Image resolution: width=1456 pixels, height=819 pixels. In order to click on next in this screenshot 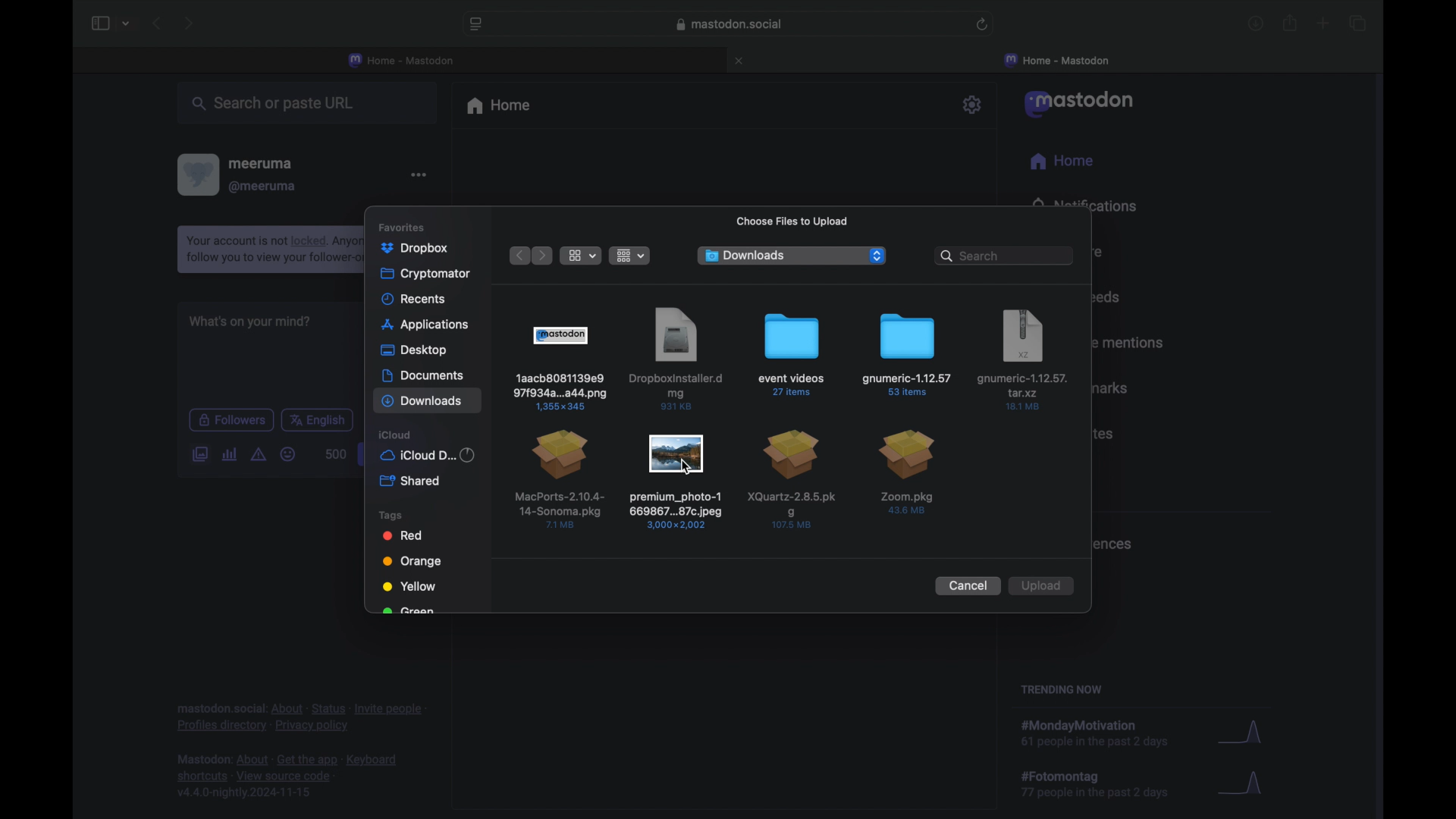, I will do `click(190, 23)`.